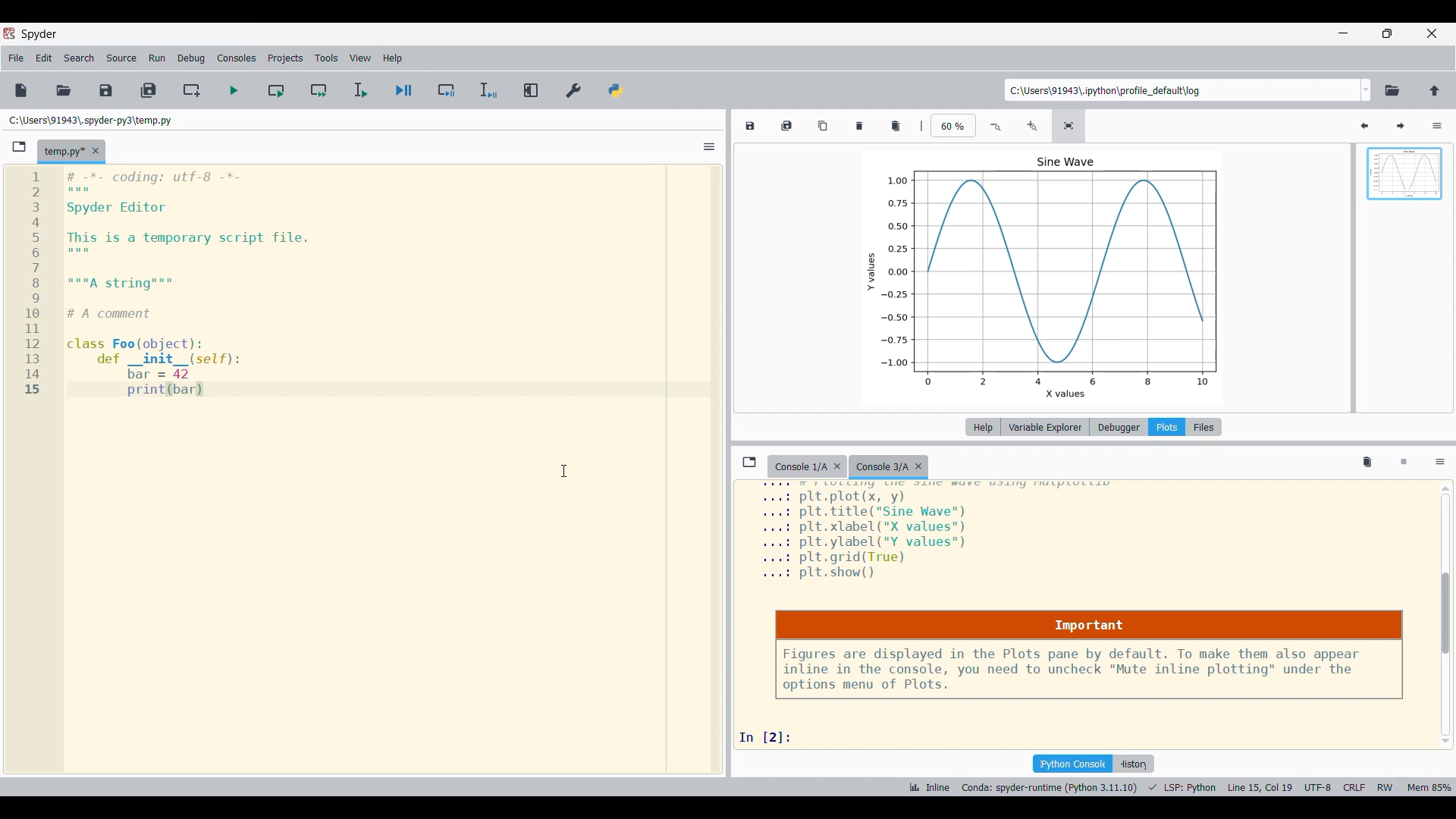 This screenshot has height=819, width=1456. What do you see at coordinates (488, 90) in the screenshot?
I see `Debug selection/current line` at bounding box center [488, 90].